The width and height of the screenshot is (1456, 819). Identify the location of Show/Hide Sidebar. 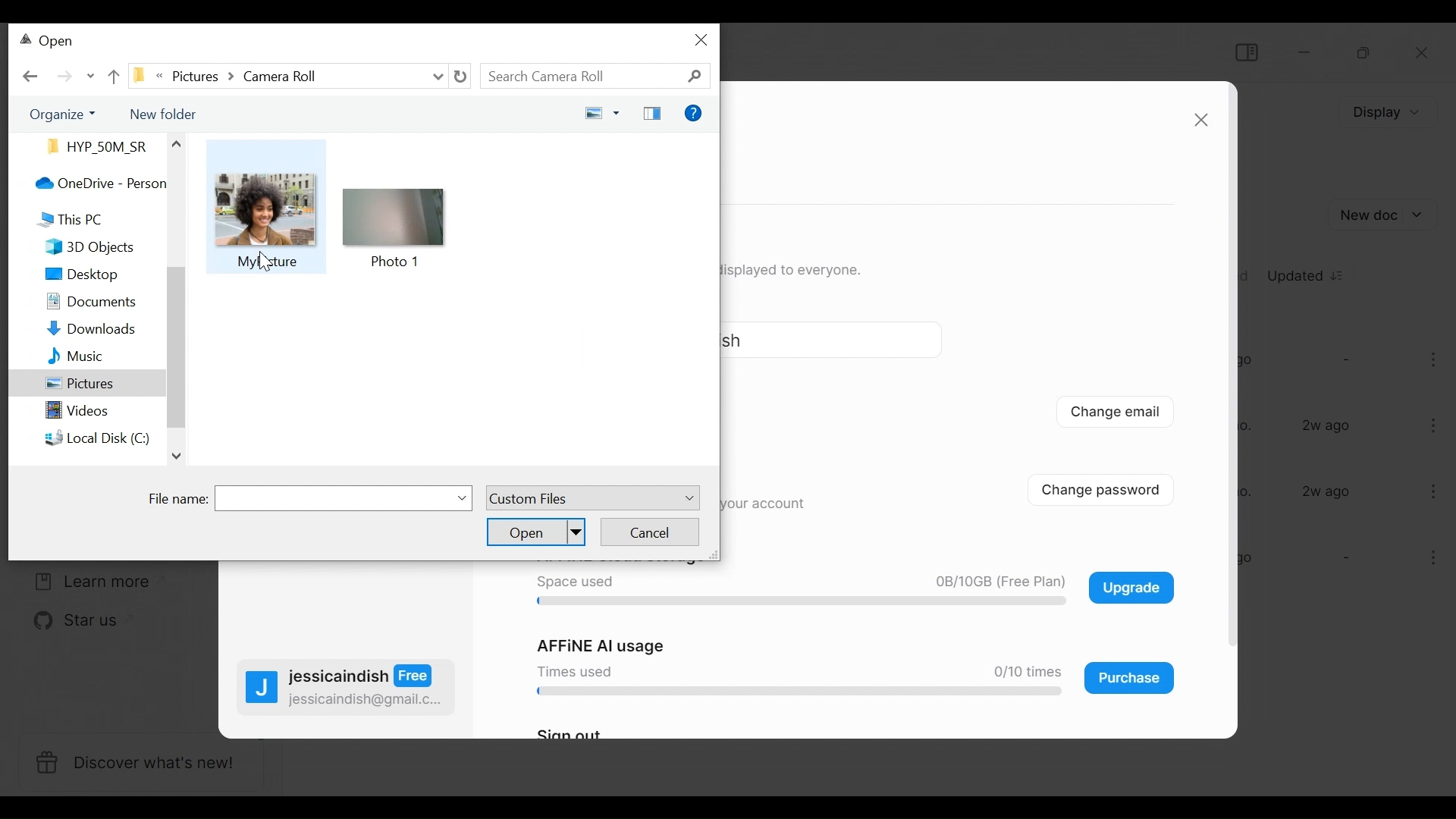
(1245, 52).